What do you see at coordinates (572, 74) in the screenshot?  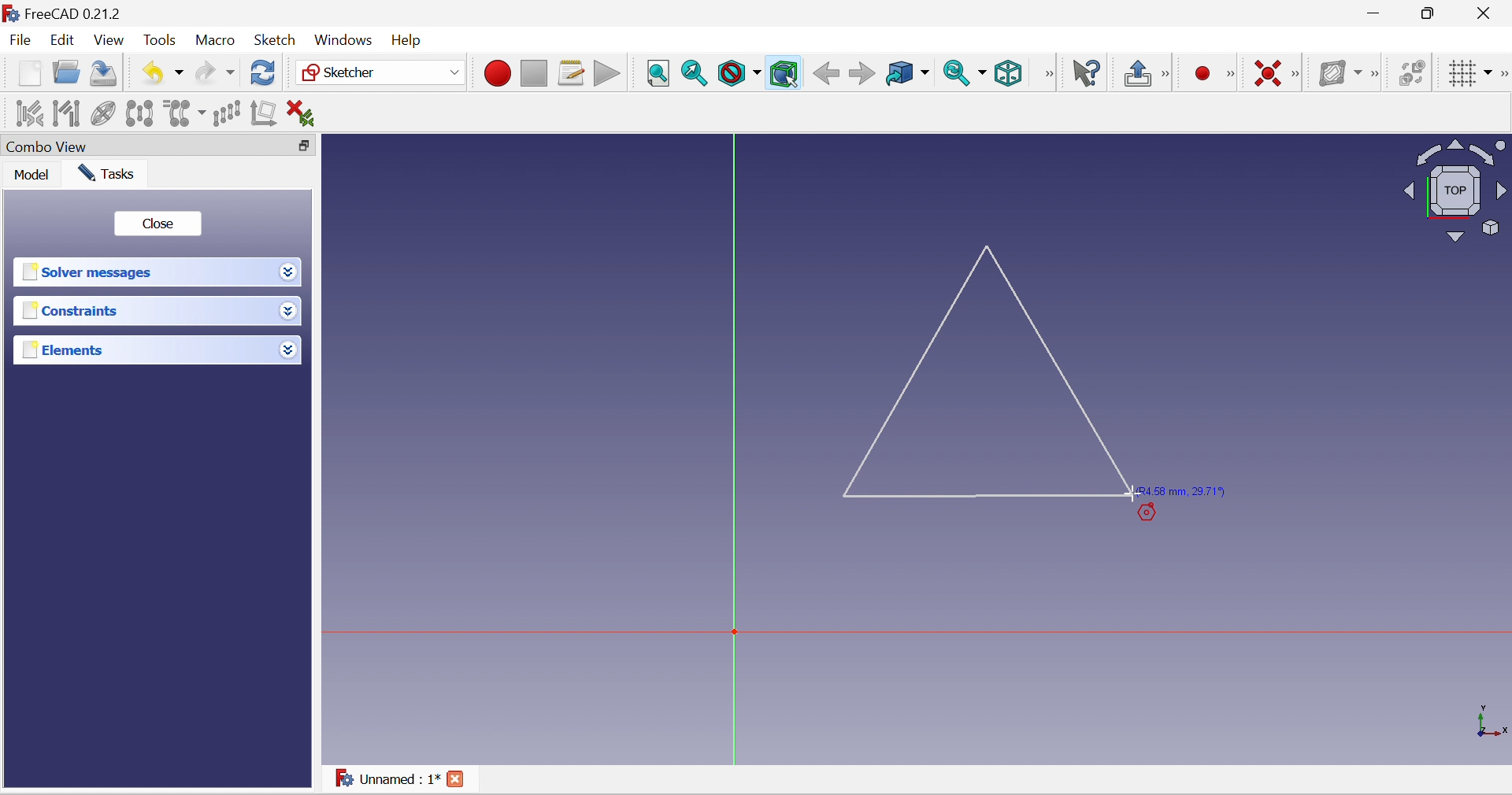 I see `Macros` at bounding box center [572, 74].